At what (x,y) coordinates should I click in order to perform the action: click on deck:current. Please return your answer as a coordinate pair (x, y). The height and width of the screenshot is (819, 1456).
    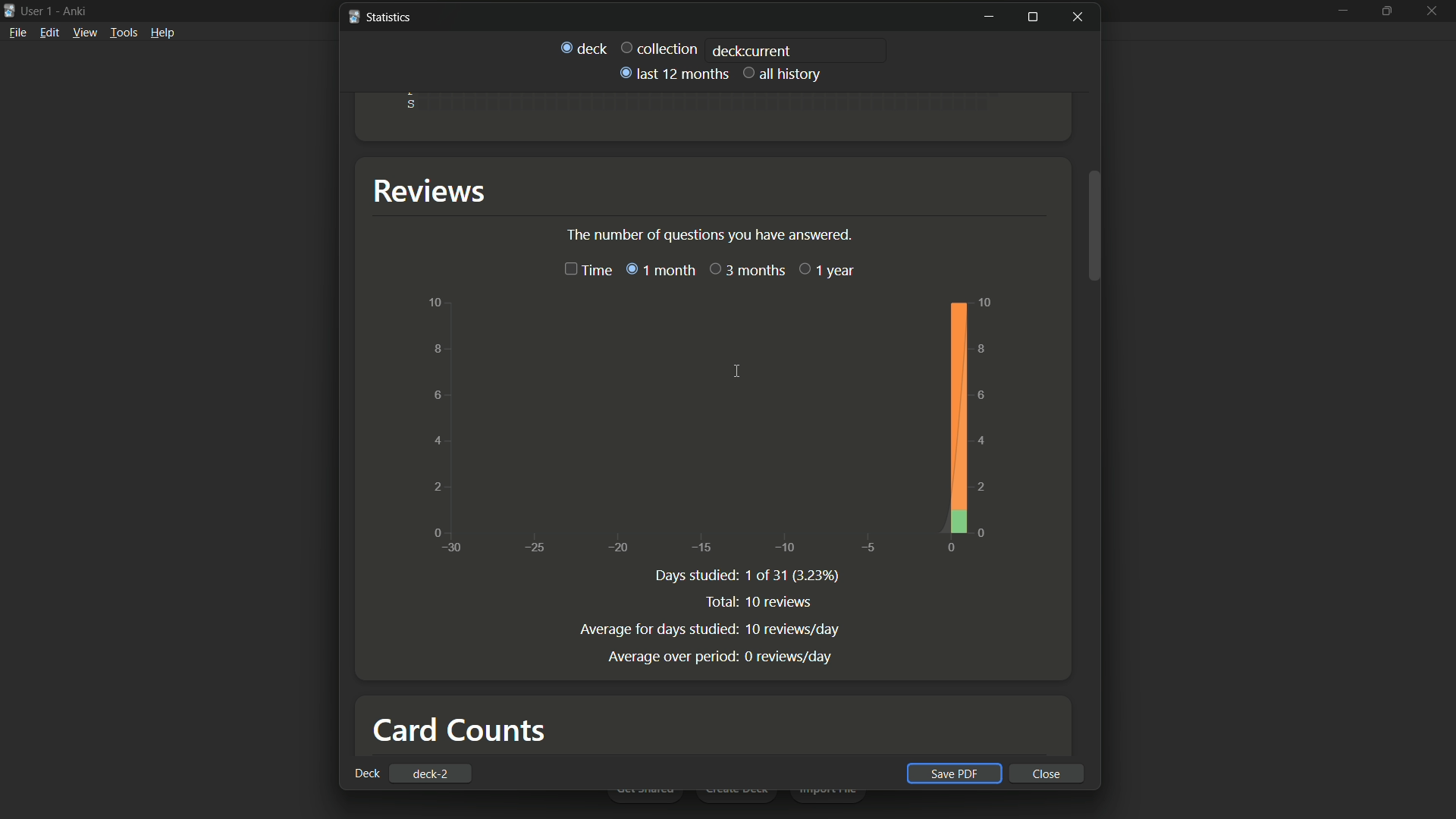
    Looking at the image, I should click on (752, 50).